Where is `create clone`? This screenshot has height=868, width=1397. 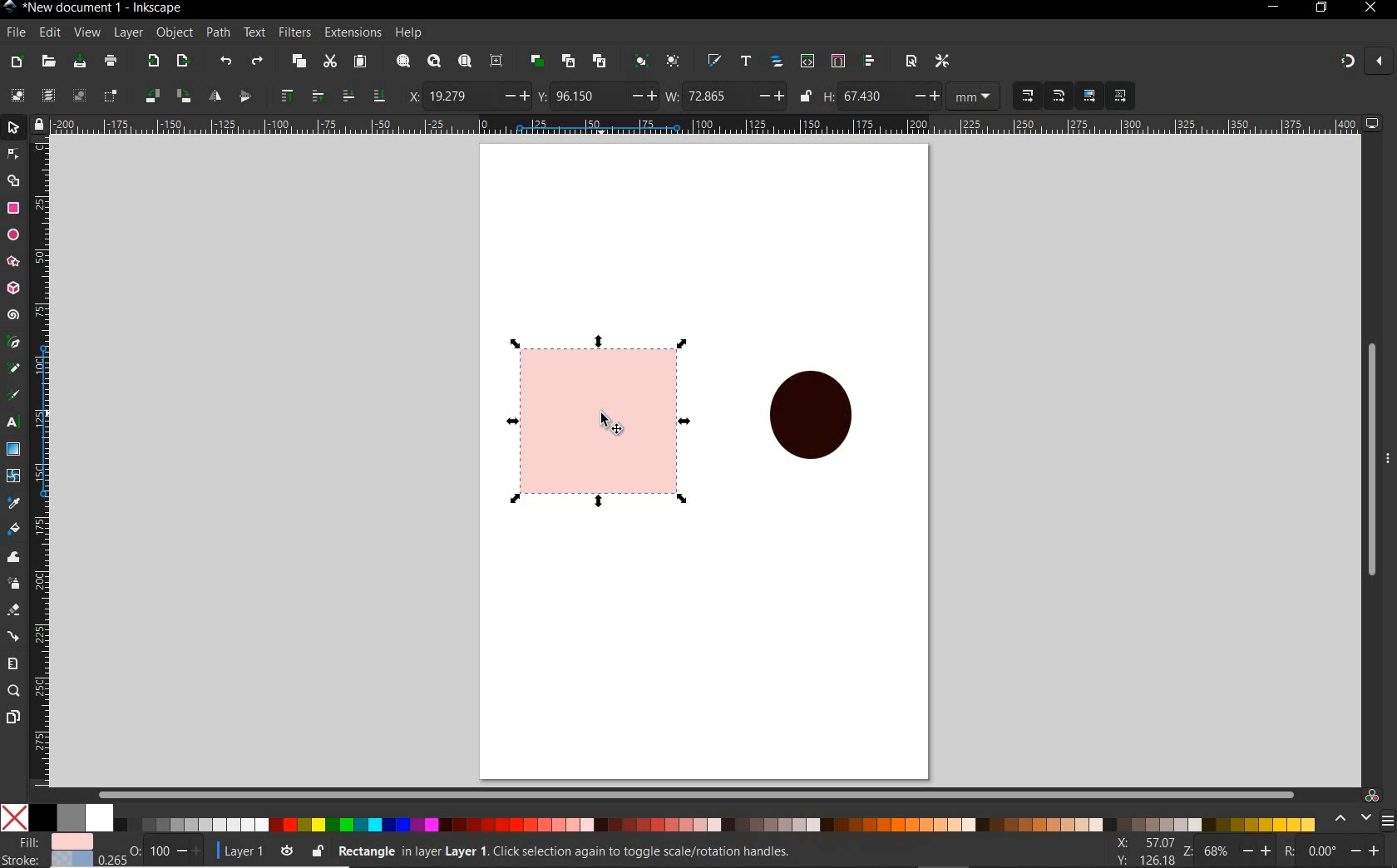 create clone is located at coordinates (569, 61).